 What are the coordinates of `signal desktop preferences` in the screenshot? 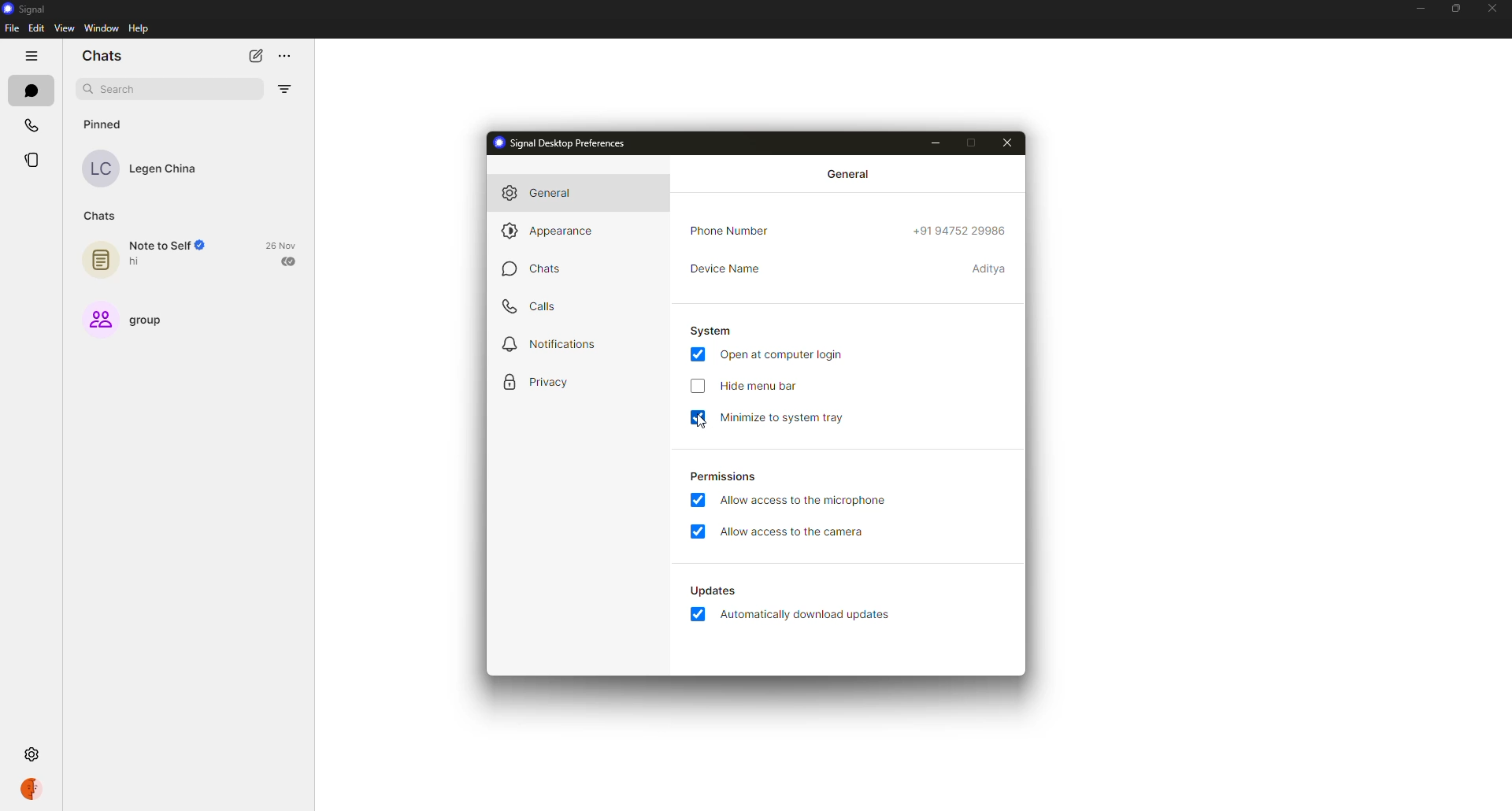 It's located at (565, 143).